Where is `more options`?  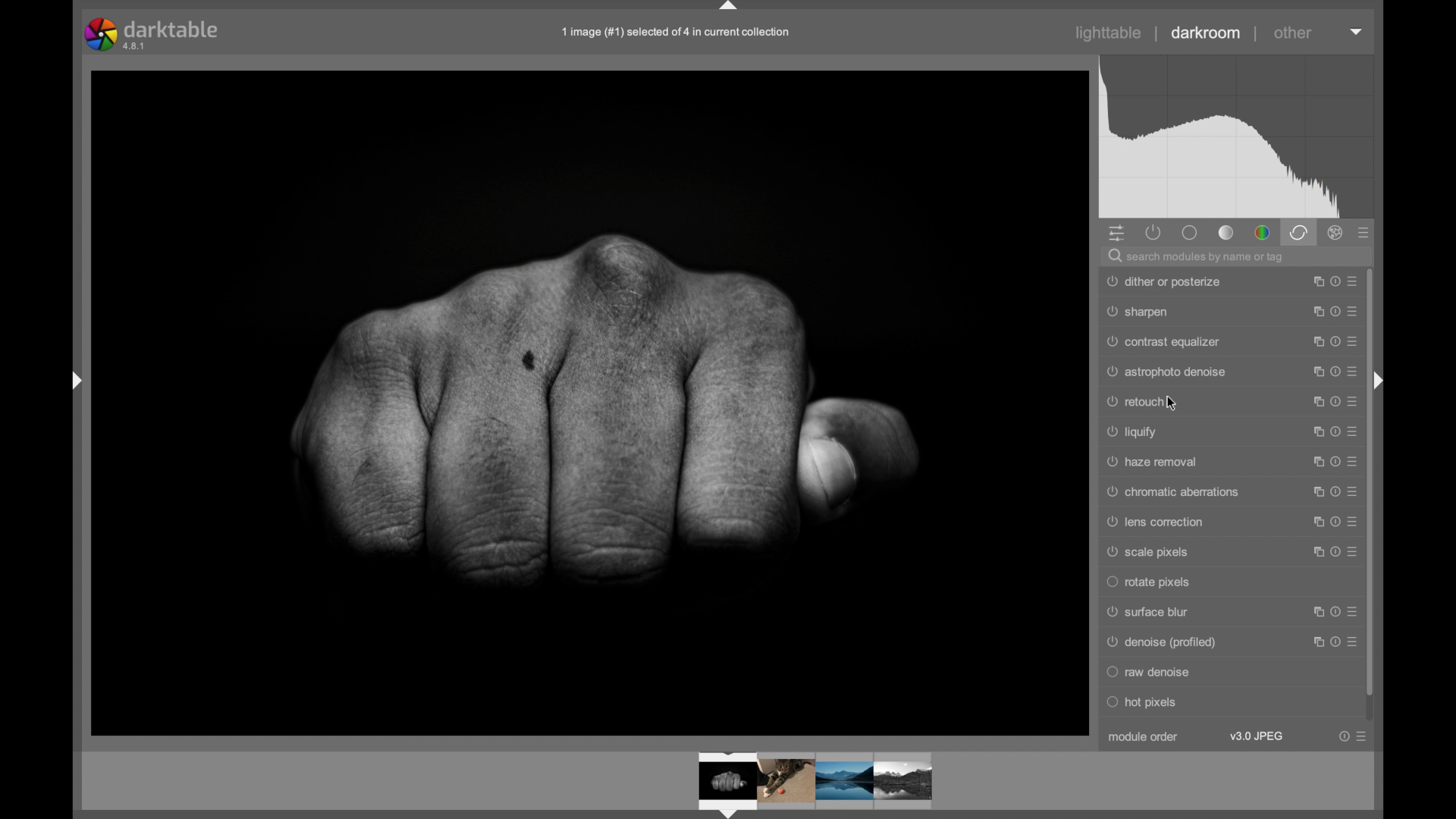
more options is located at coordinates (1351, 641).